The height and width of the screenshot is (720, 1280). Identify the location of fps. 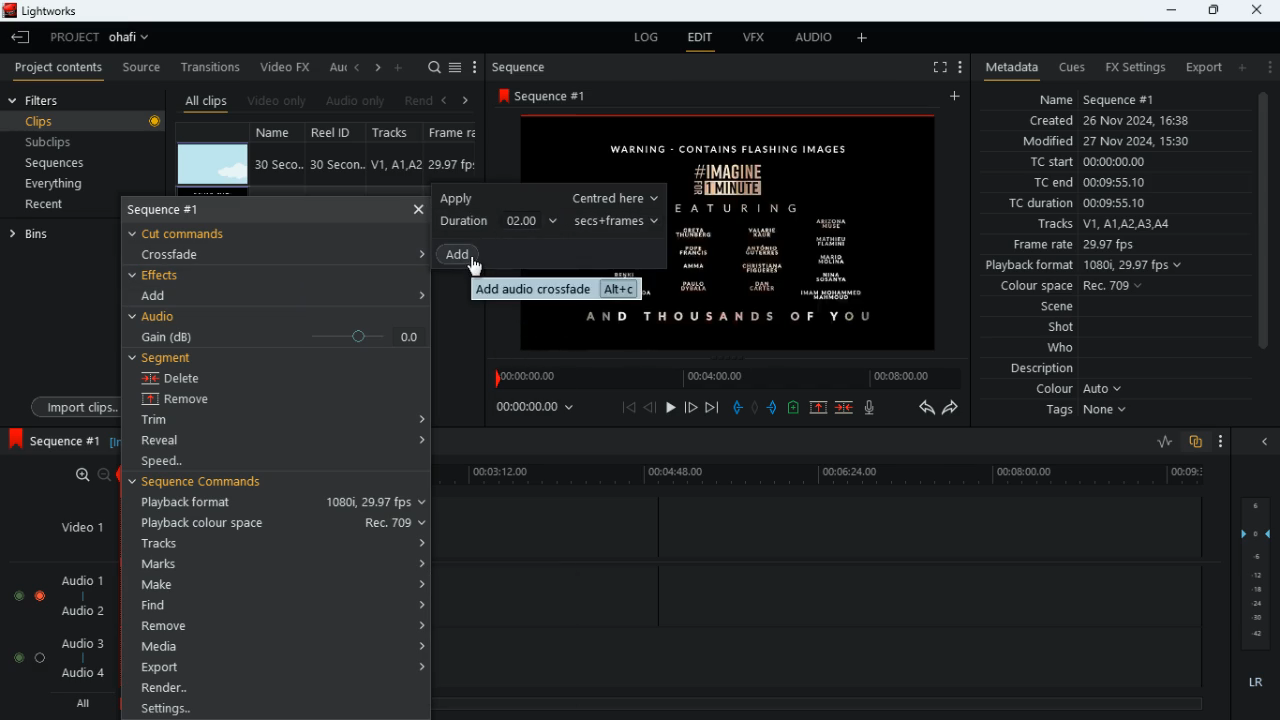
(454, 132).